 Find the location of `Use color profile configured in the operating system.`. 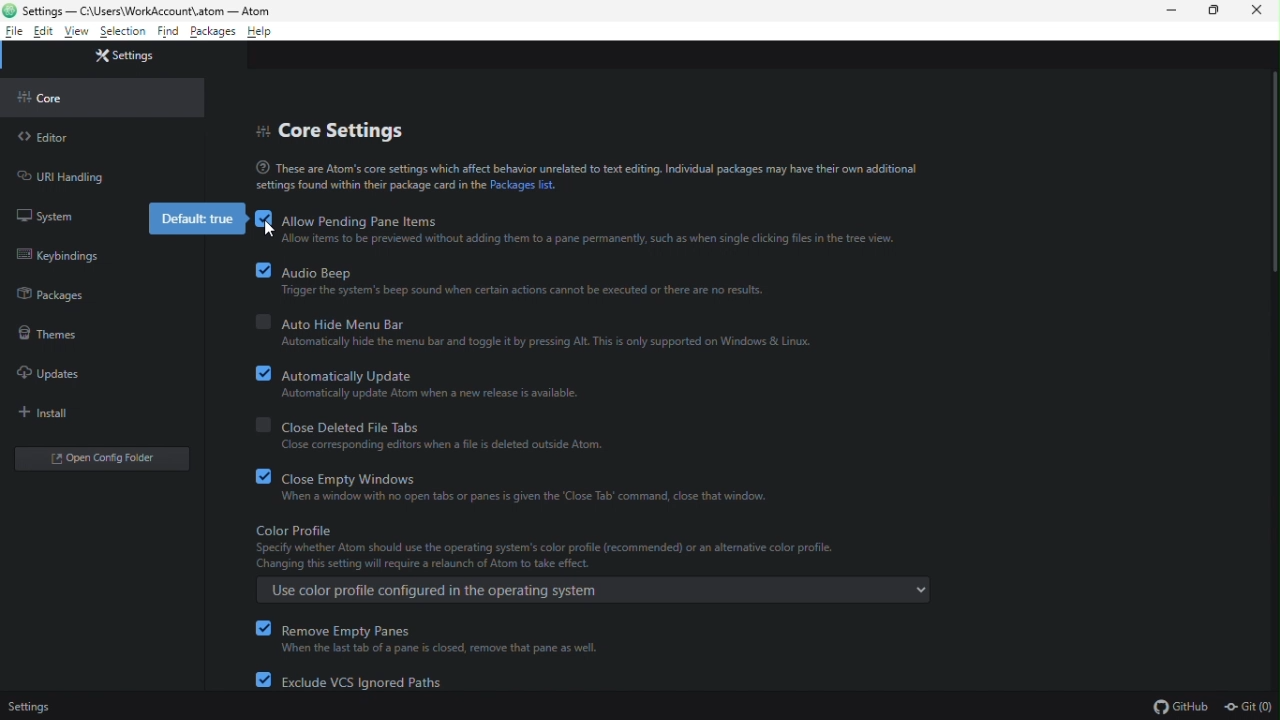

Use color profile configured in the operating system. is located at coordinates (596, 589).